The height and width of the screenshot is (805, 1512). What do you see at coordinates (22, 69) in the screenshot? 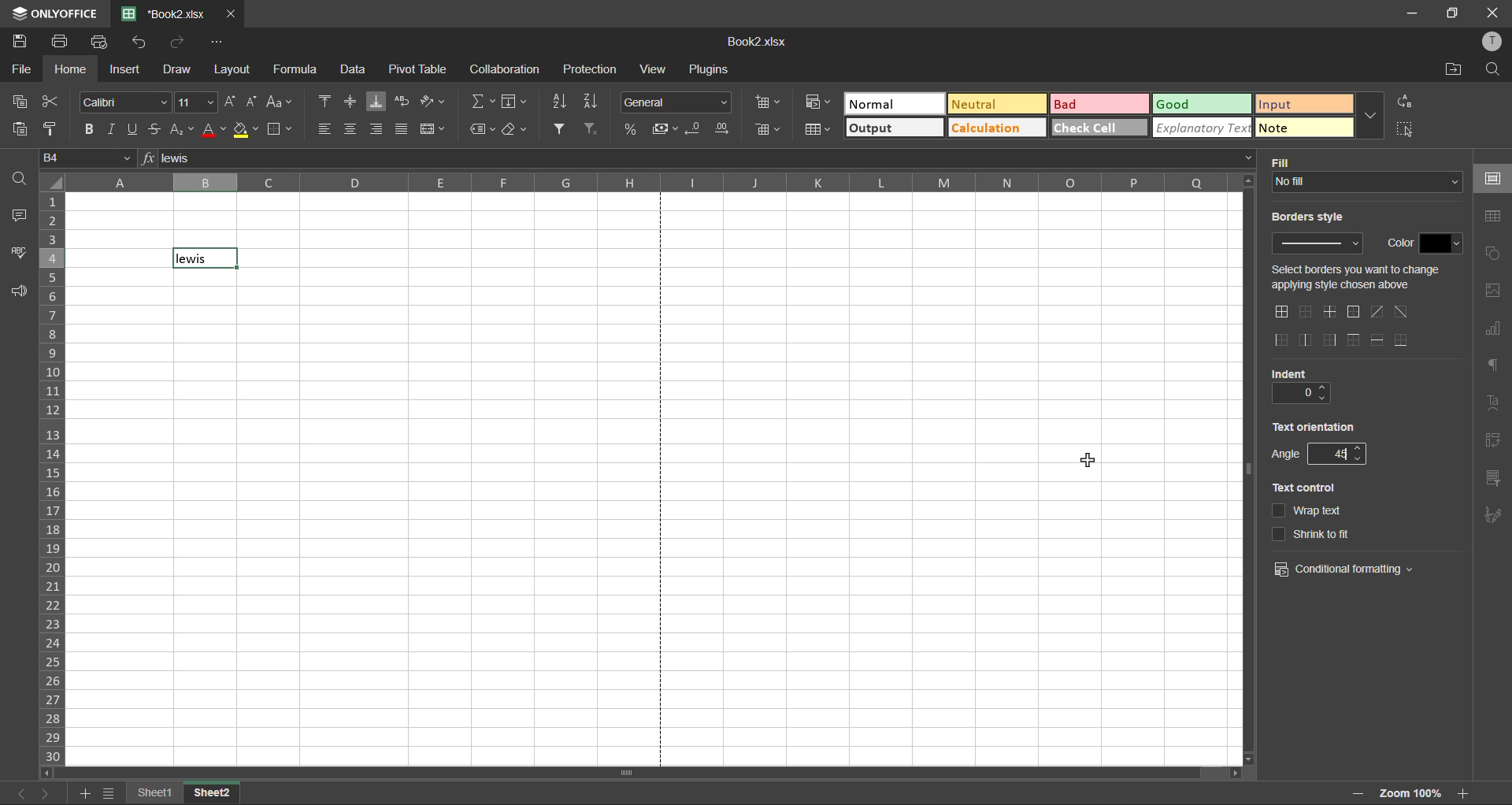
I see `file` at bounding box center [22, 69].